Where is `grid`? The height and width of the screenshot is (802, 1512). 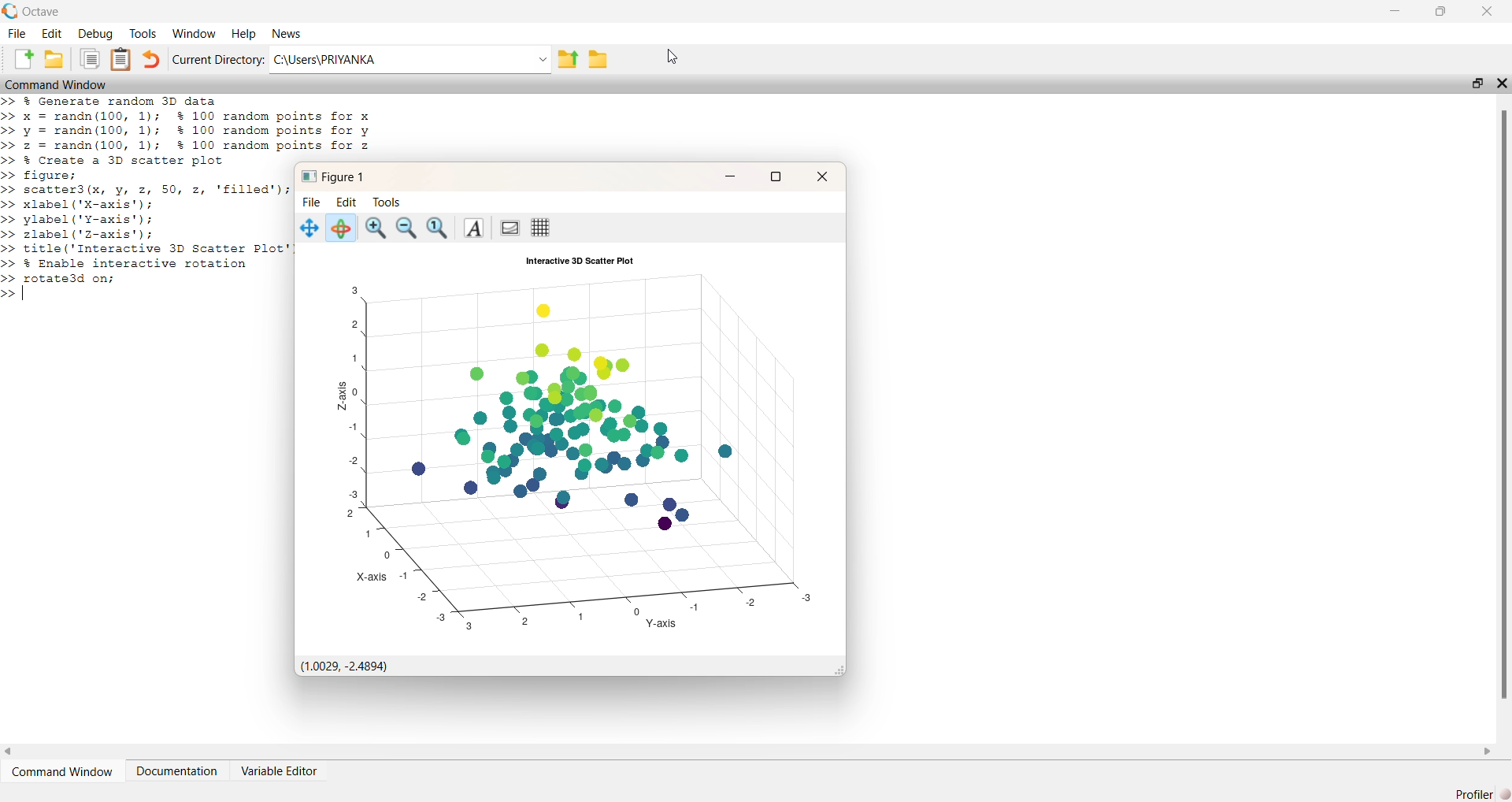 grid is located at coordinates (540, 228).